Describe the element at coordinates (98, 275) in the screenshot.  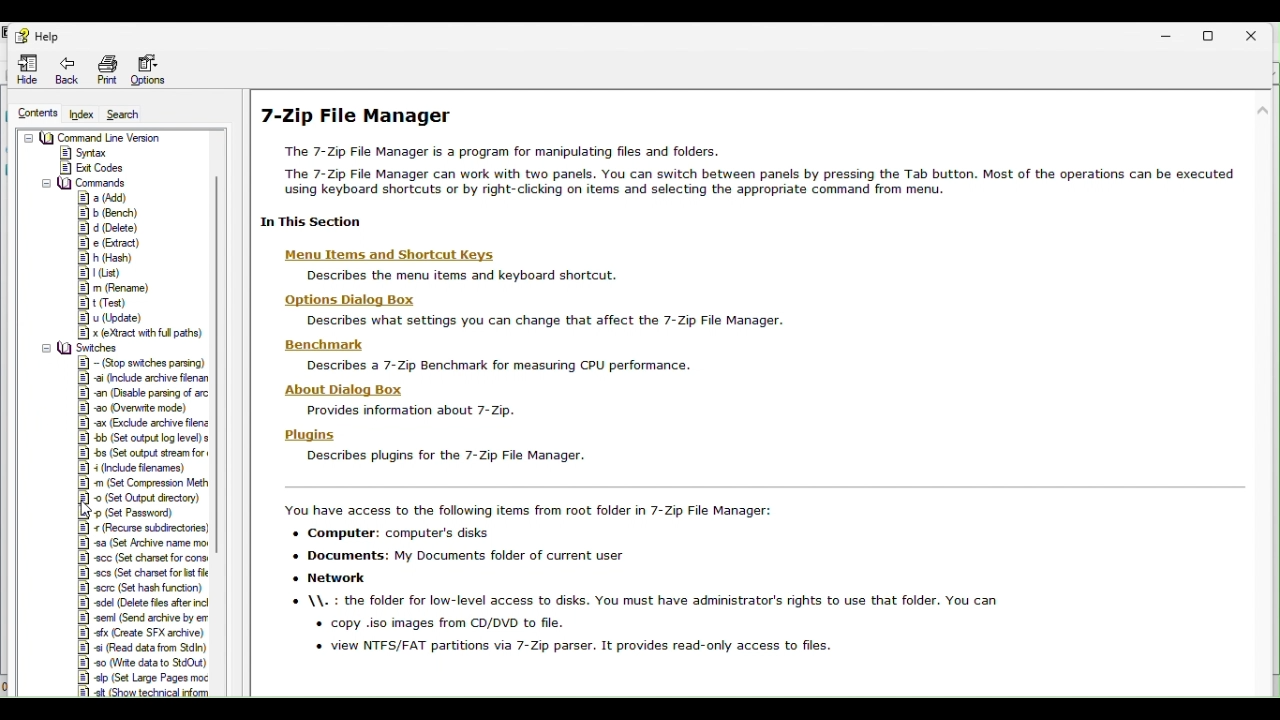
I see `List` at that location.